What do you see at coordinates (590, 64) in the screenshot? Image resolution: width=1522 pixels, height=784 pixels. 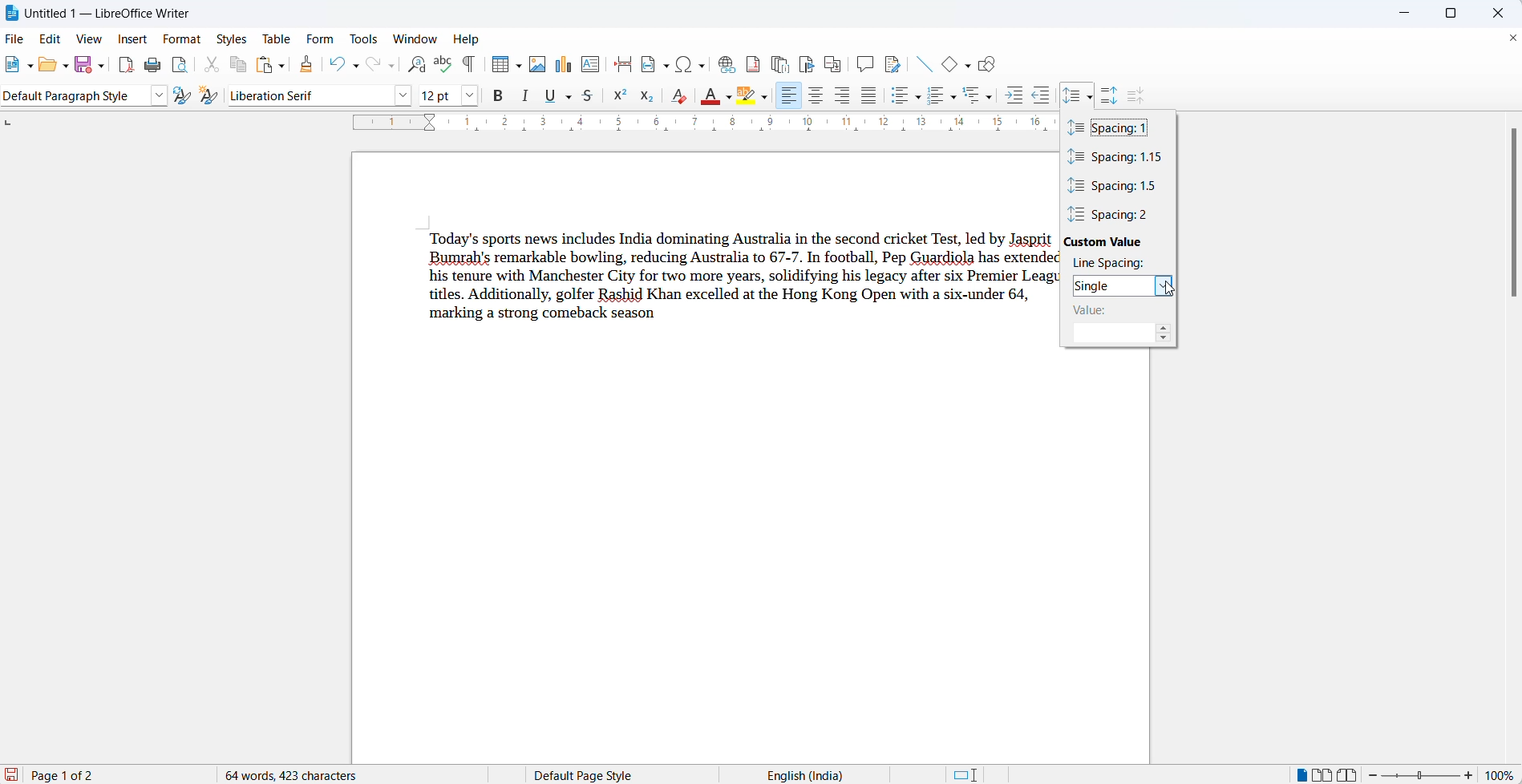 I see `insert text` at bounding box center [590, 64].